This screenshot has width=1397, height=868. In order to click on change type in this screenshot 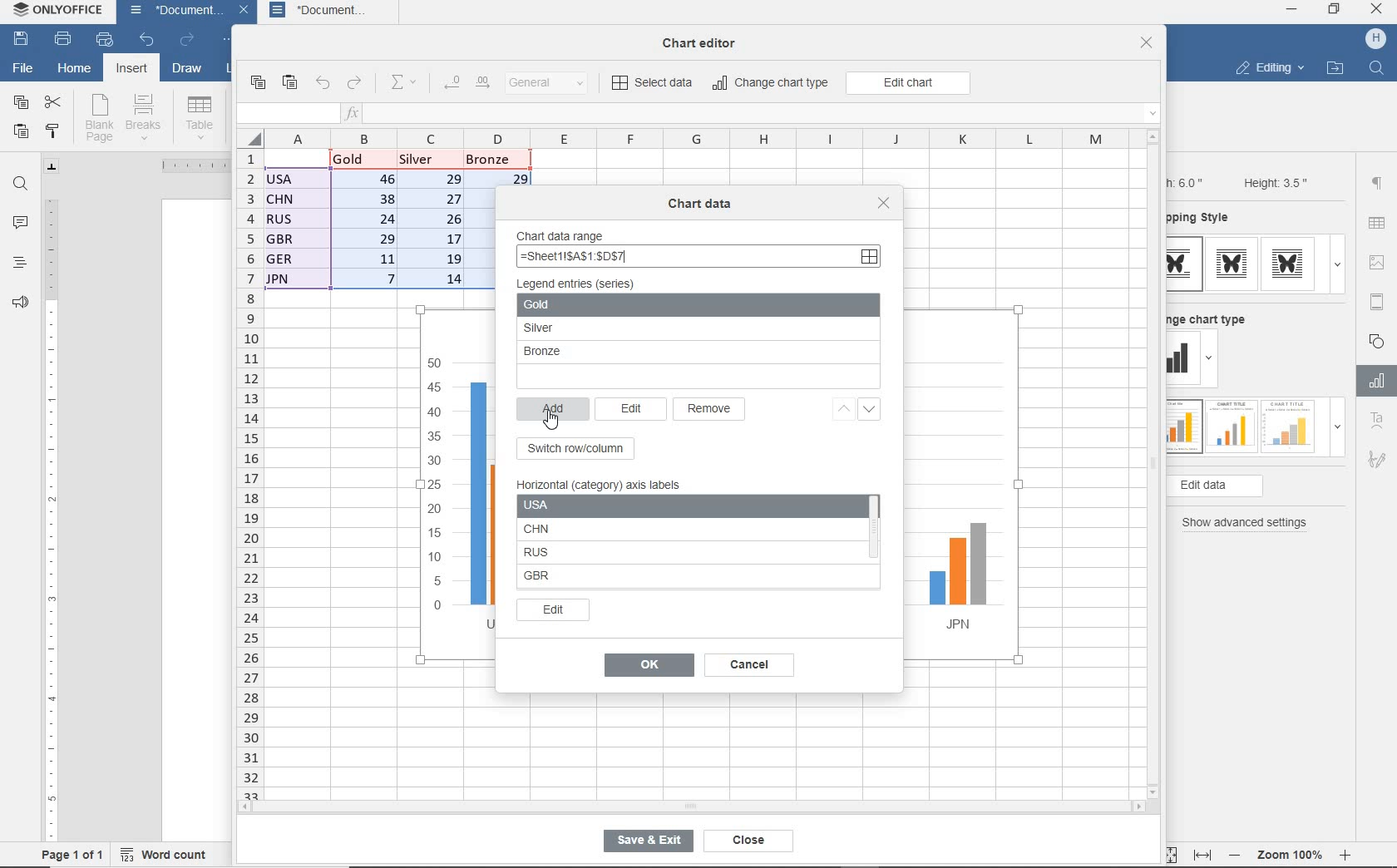, I will do `click(1186, 359)`.